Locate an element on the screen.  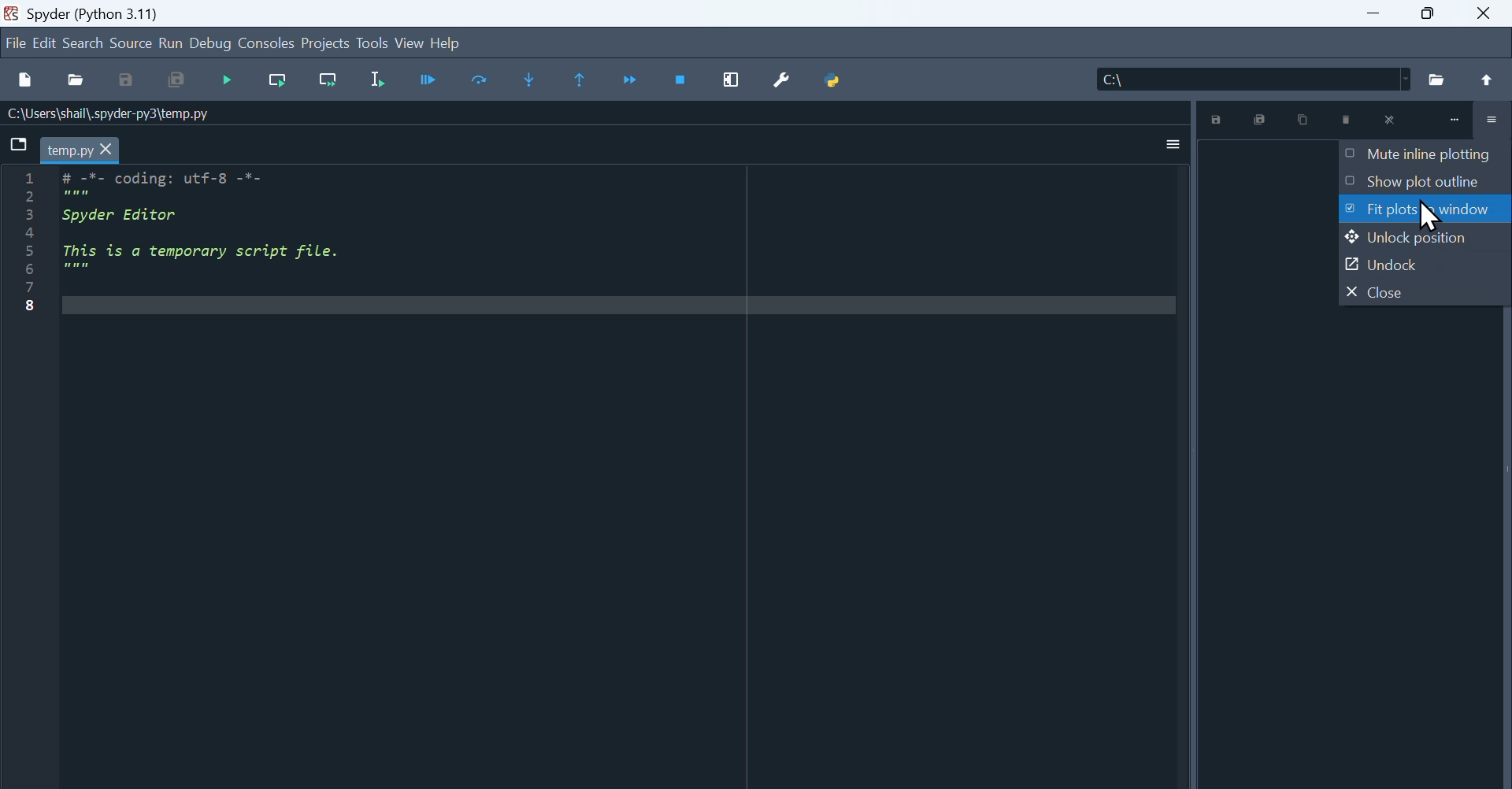
Maximise is located at coordinates (1429, 13).